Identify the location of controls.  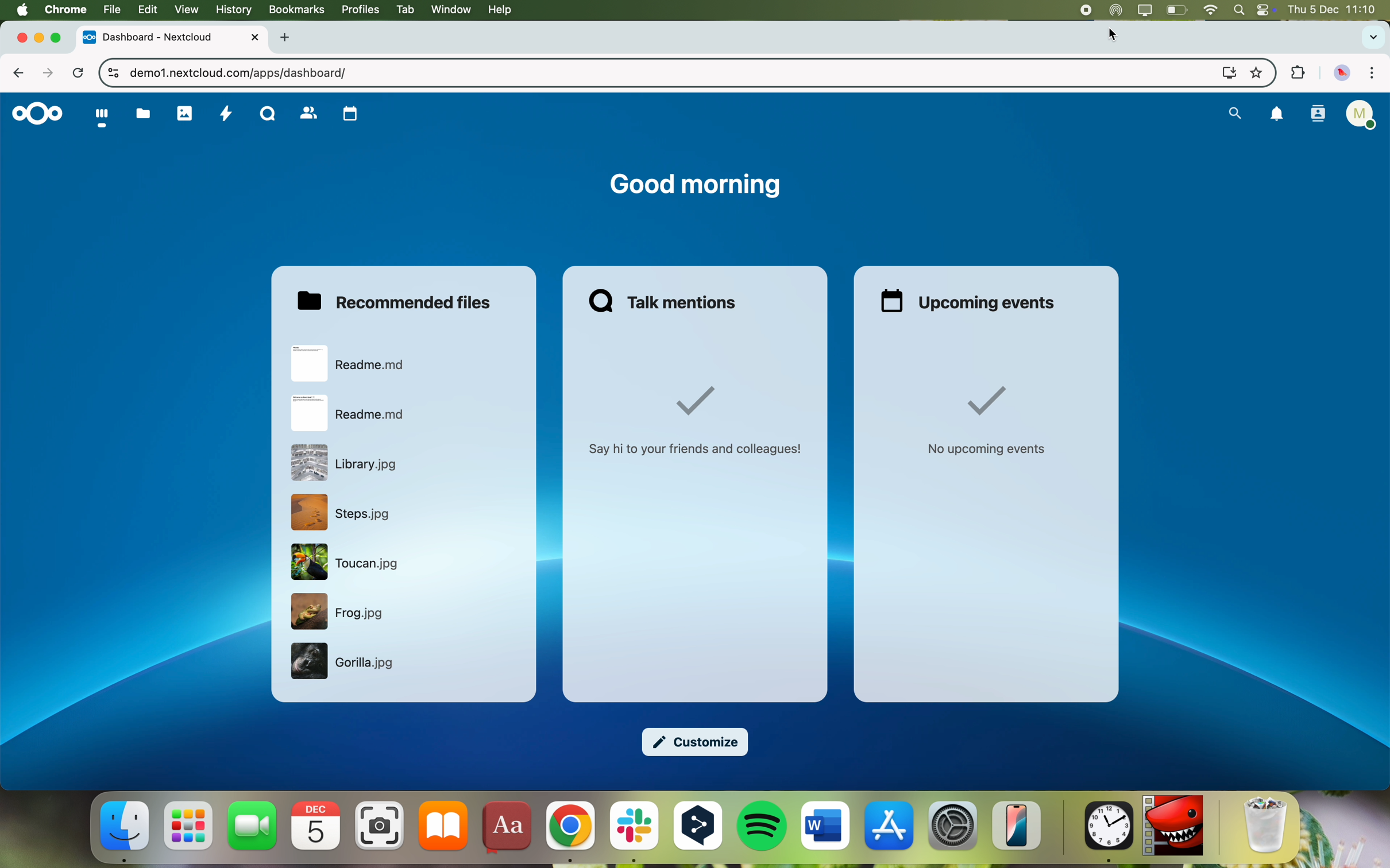
(1266, 10).